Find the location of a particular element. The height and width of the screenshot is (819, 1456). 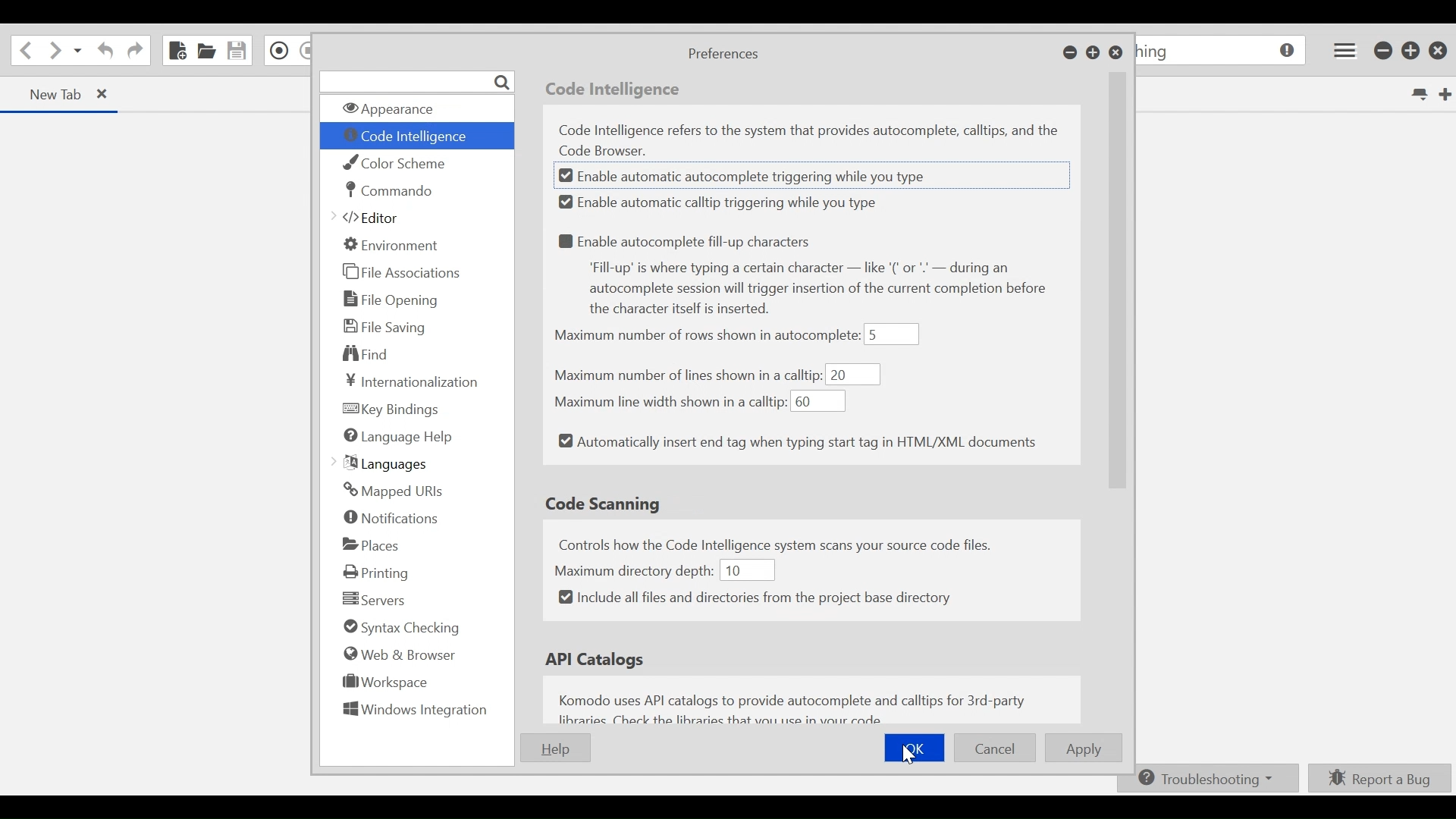

Environment is located at coordinates (392, 244).